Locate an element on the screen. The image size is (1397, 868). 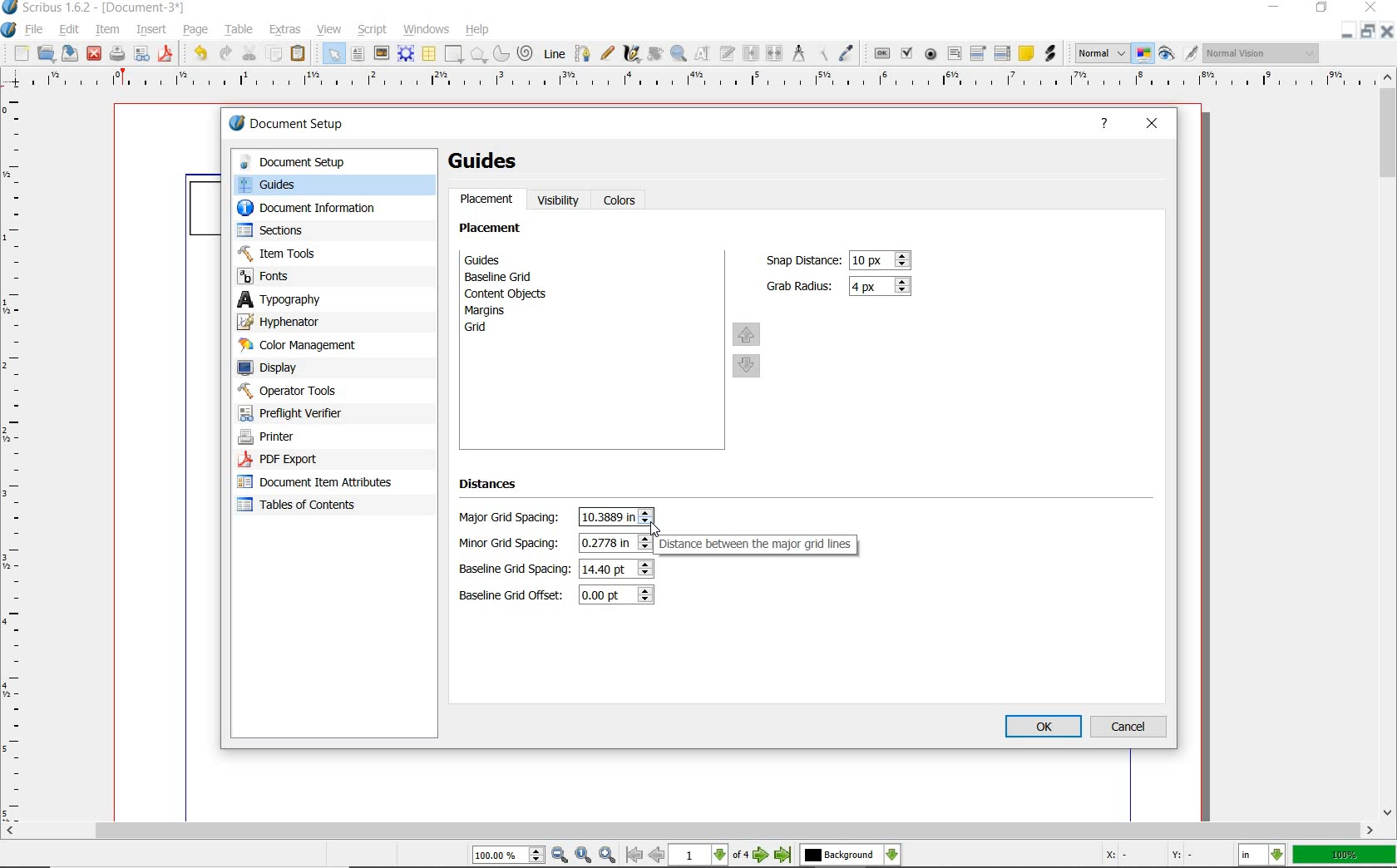
text frame is located at coordinates (358, 56).